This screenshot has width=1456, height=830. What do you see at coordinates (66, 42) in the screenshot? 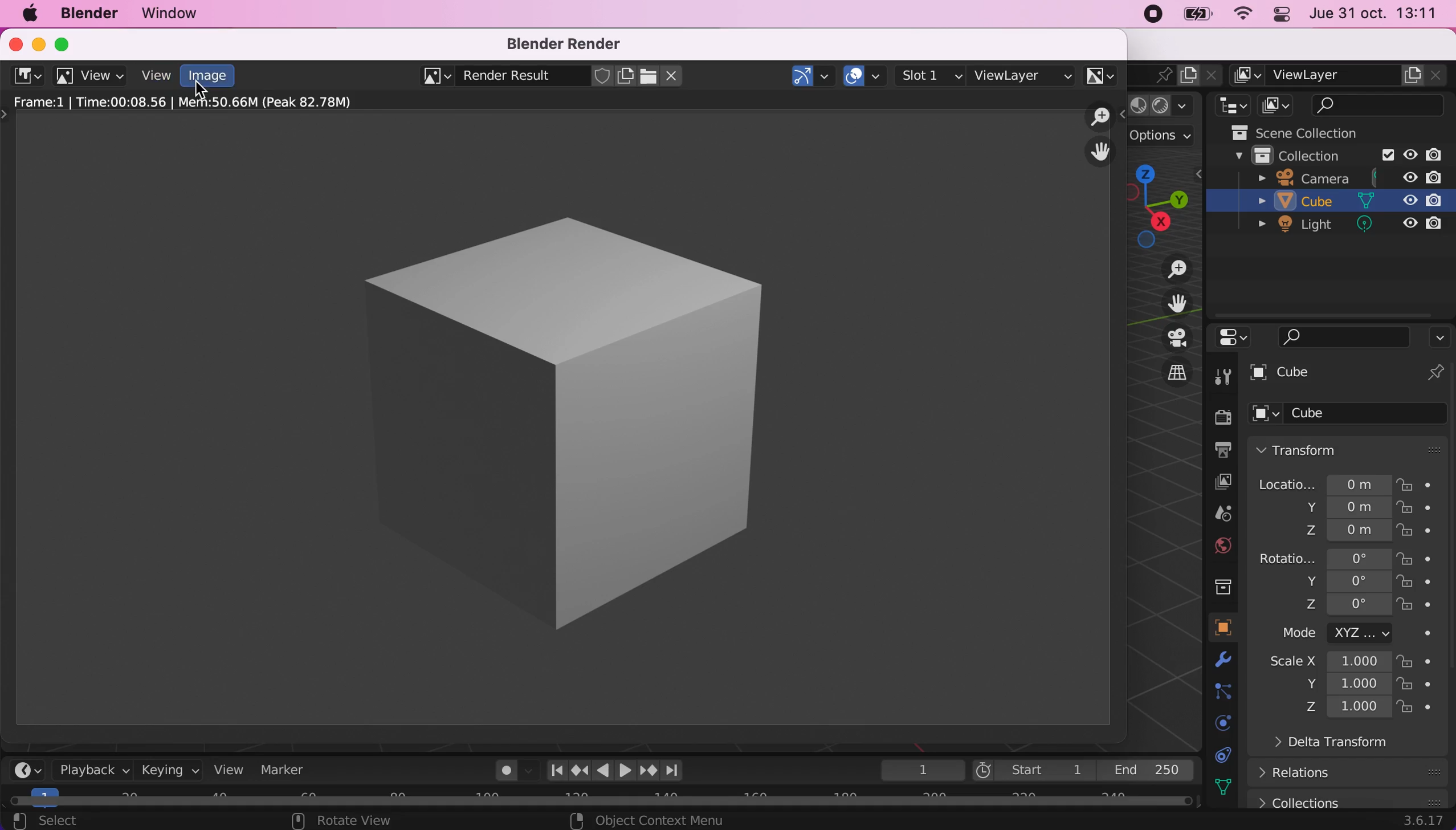
I see `maximize` at bounding box center [66, 42].